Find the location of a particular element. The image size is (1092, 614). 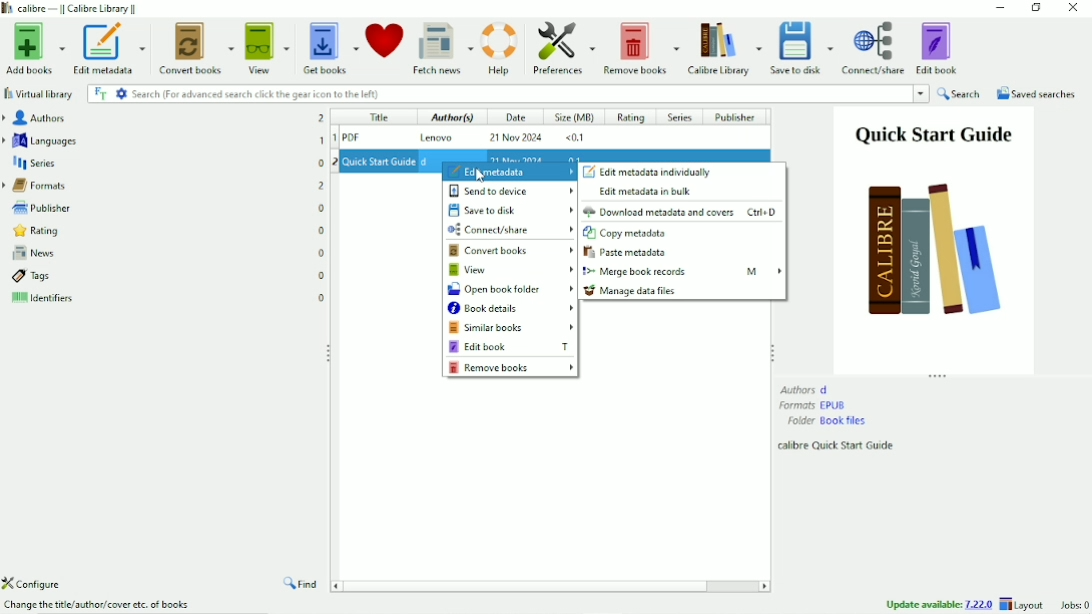

Layout is located at coordinates (1024, 604).